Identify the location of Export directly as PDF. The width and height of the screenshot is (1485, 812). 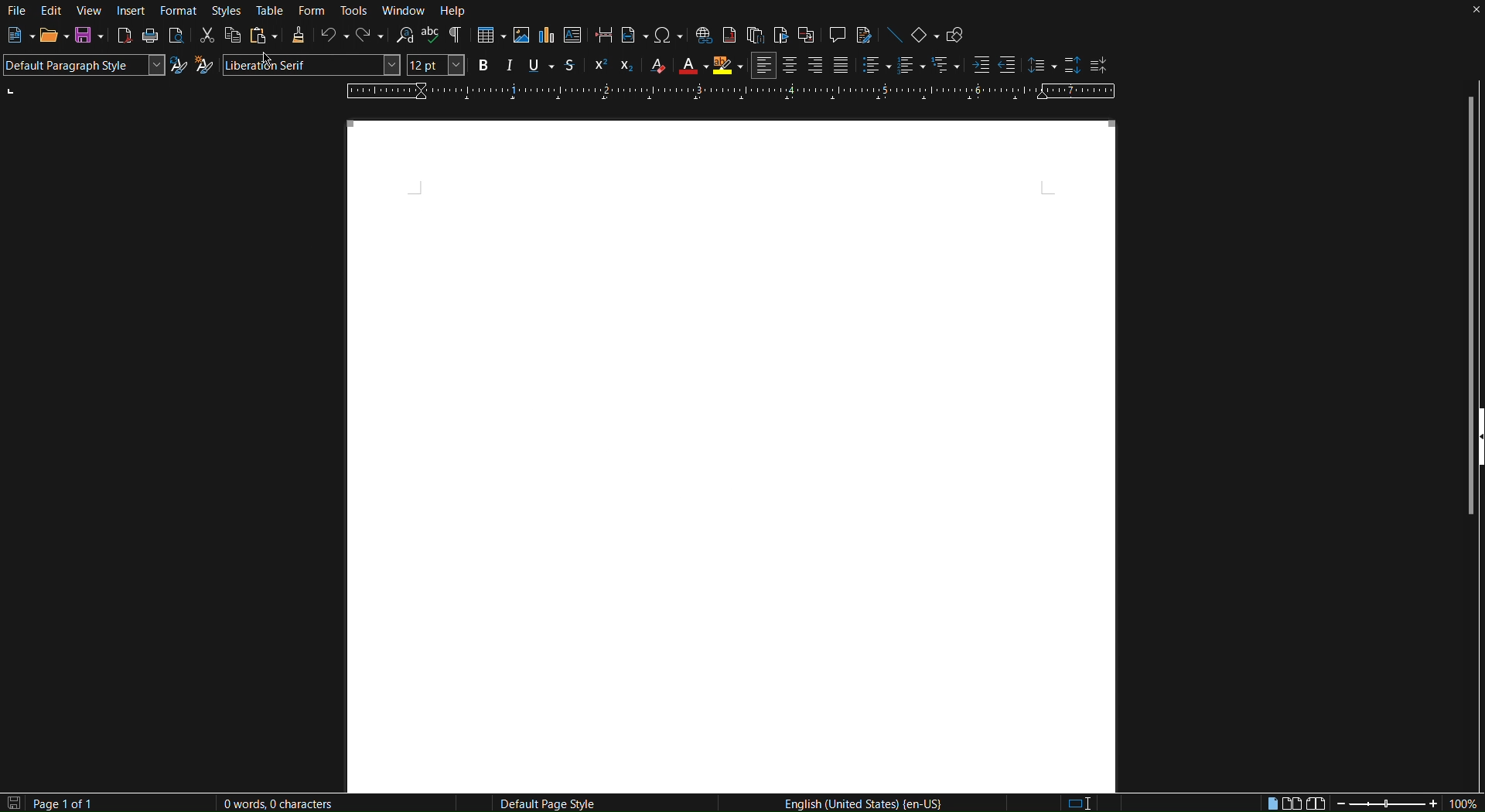
(125, 37).